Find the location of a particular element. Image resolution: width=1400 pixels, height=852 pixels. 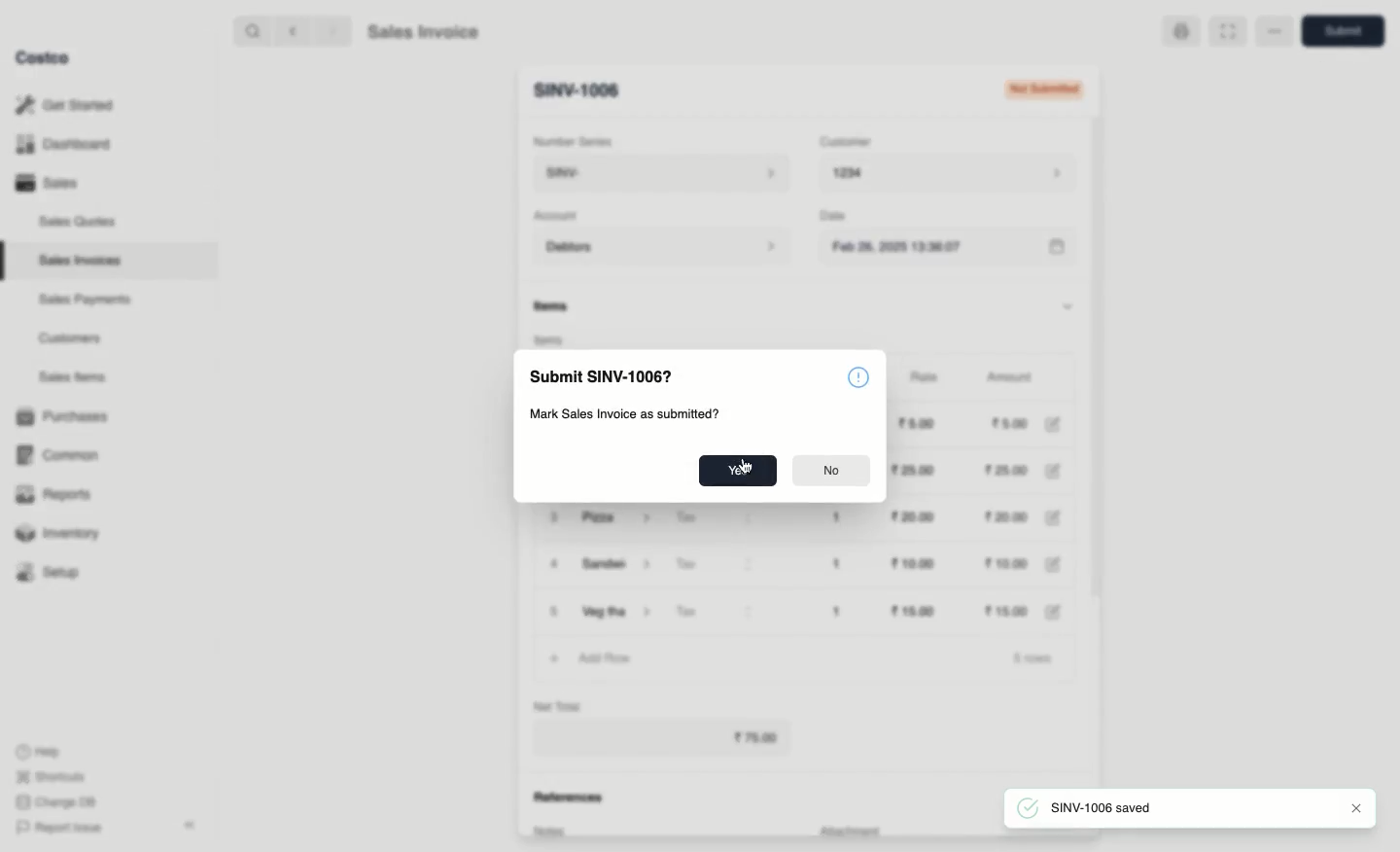

Dashboard is located at coordinates (60, 145).